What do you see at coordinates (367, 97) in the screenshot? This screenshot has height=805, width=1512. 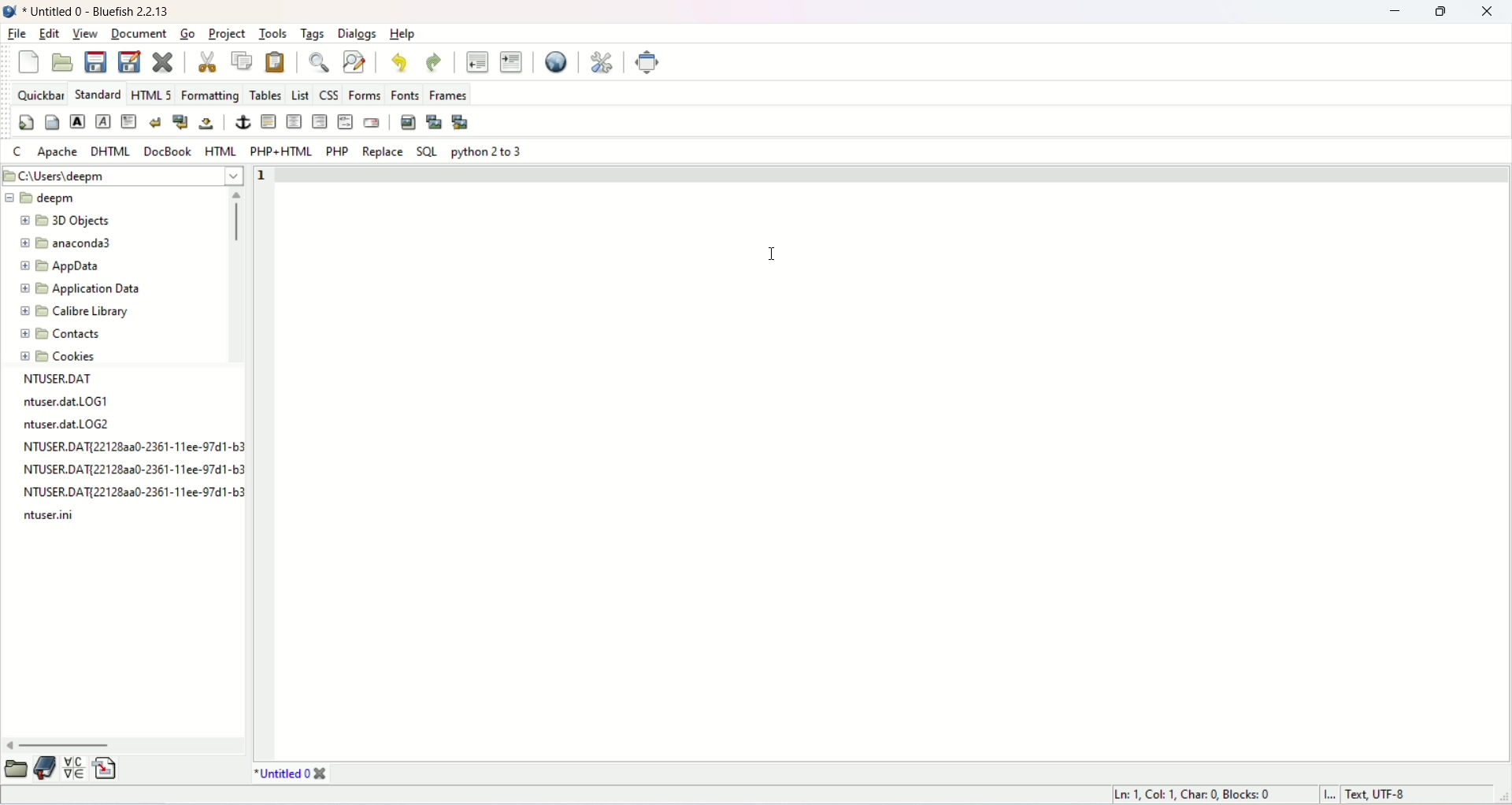 I see `forms` at bounding box center [367, 97].